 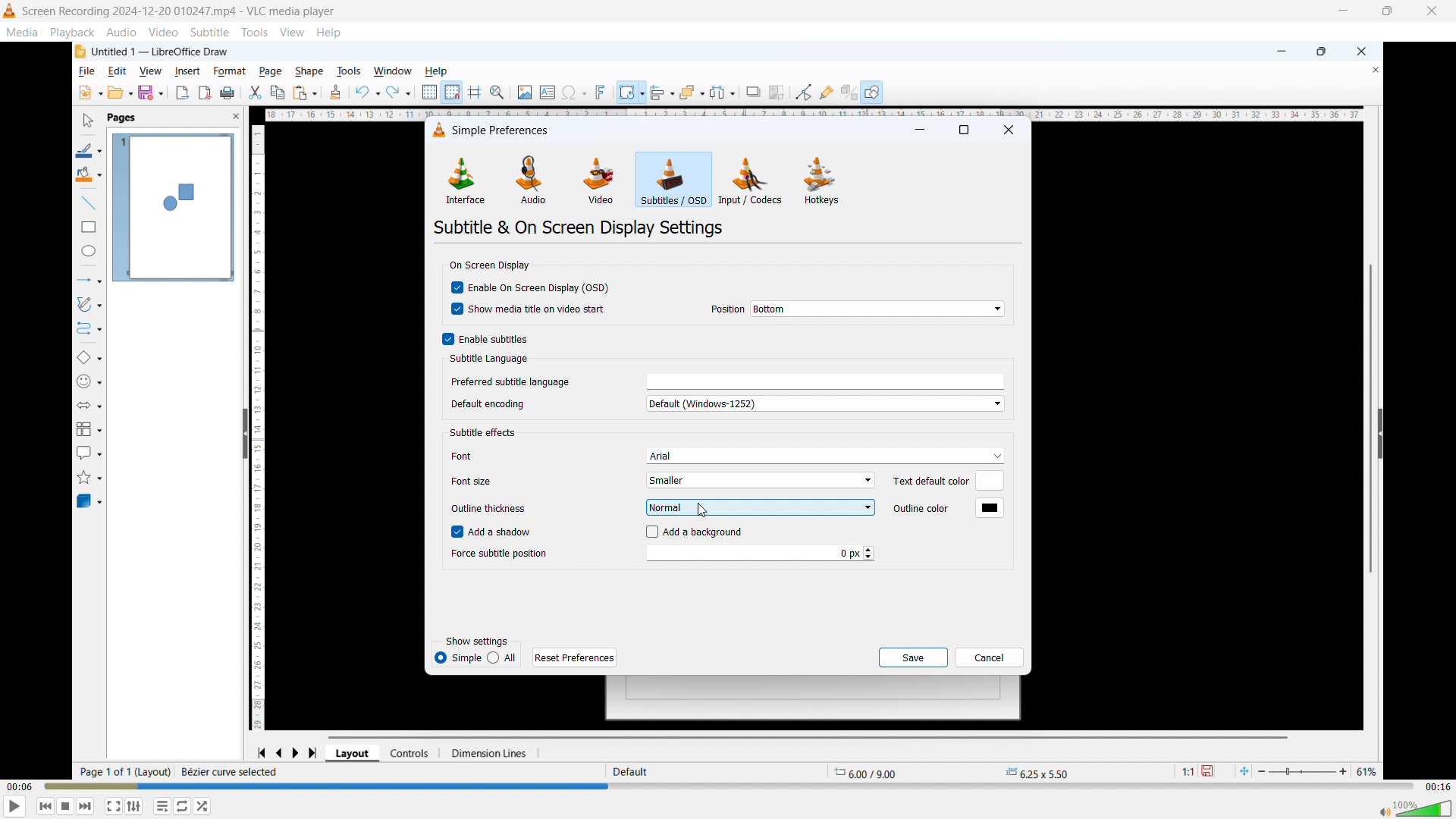 What do you see at coordinates (1432, 11) in the screenshot?
I see `close ` at bounding box center [1432, 11].